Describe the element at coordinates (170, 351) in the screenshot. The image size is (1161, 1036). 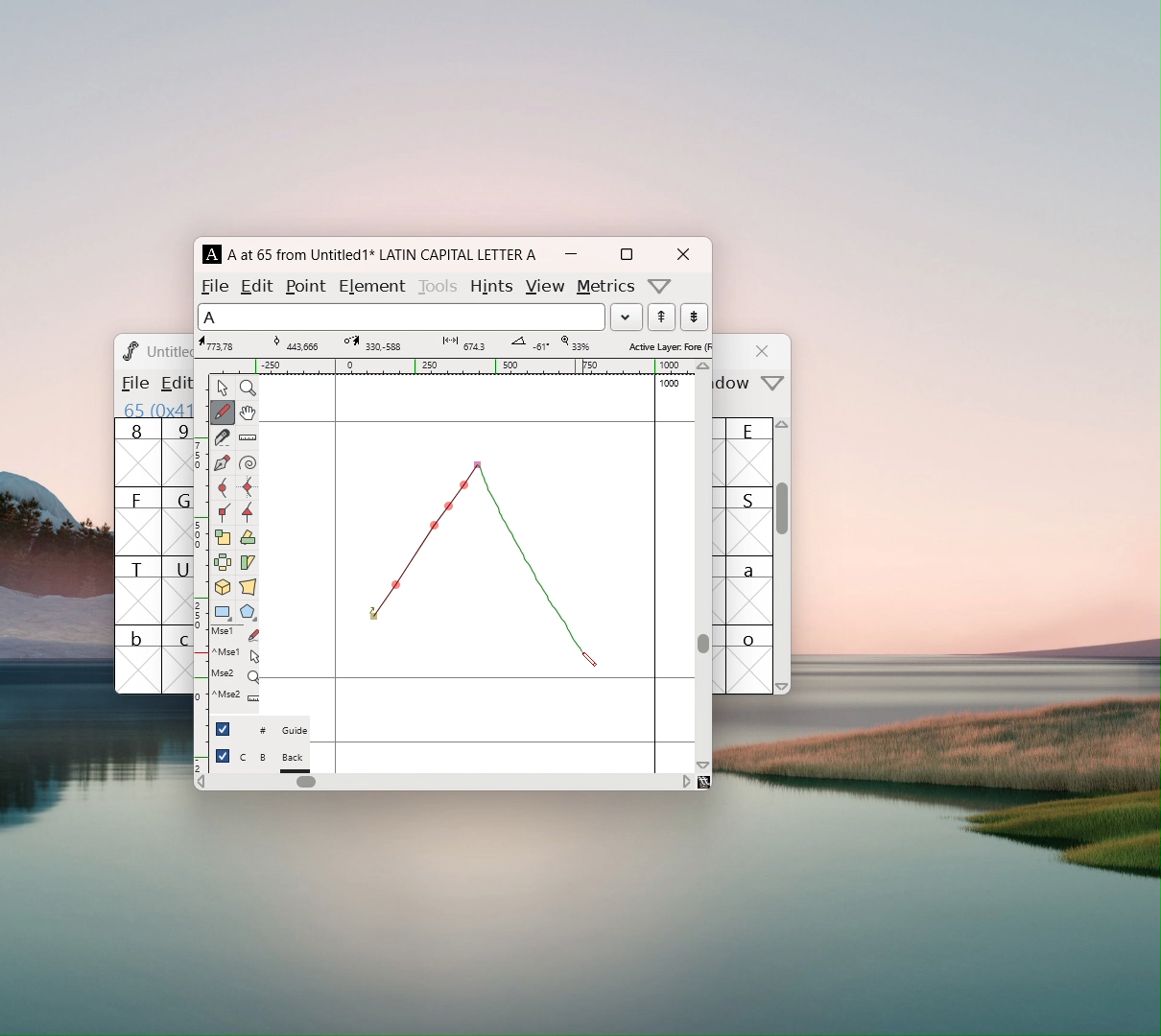
I see `Untitled? Untitled1.sfd (1508859-1)` at that location.